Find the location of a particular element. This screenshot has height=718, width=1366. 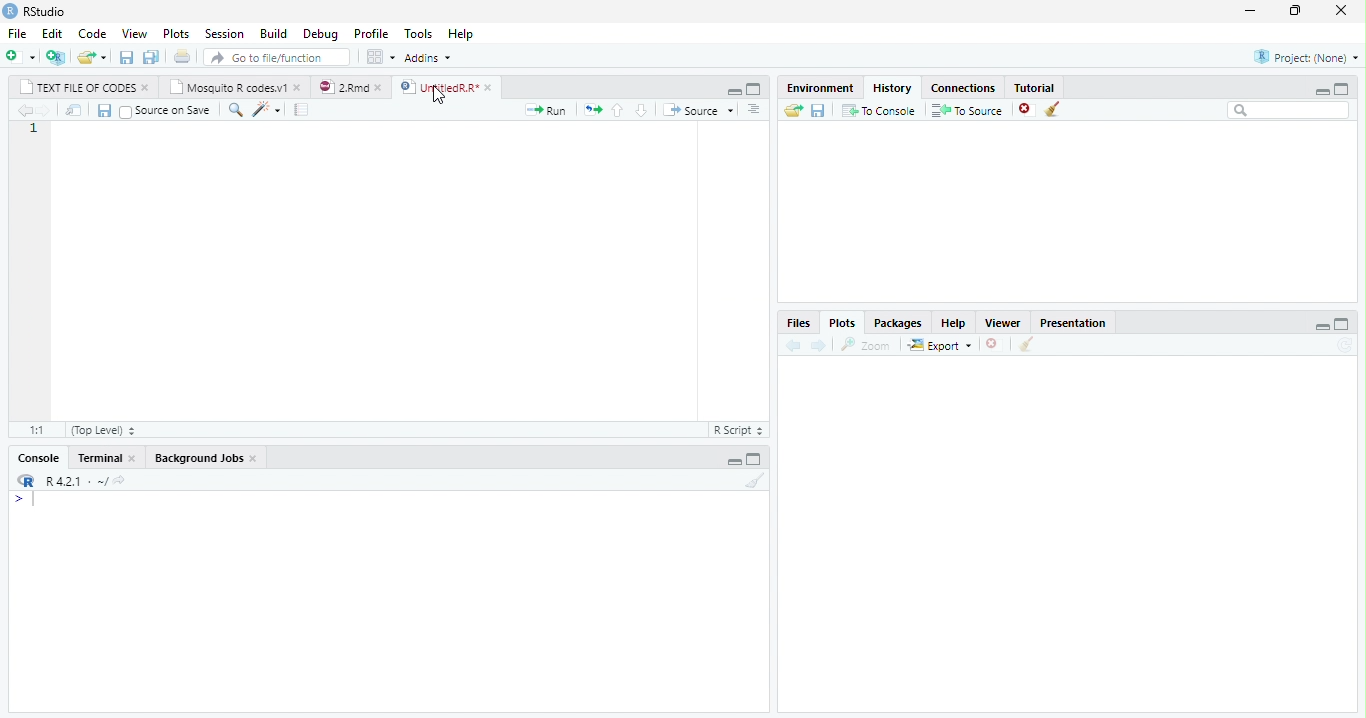

go to next section is located at coordinates (642, 110).